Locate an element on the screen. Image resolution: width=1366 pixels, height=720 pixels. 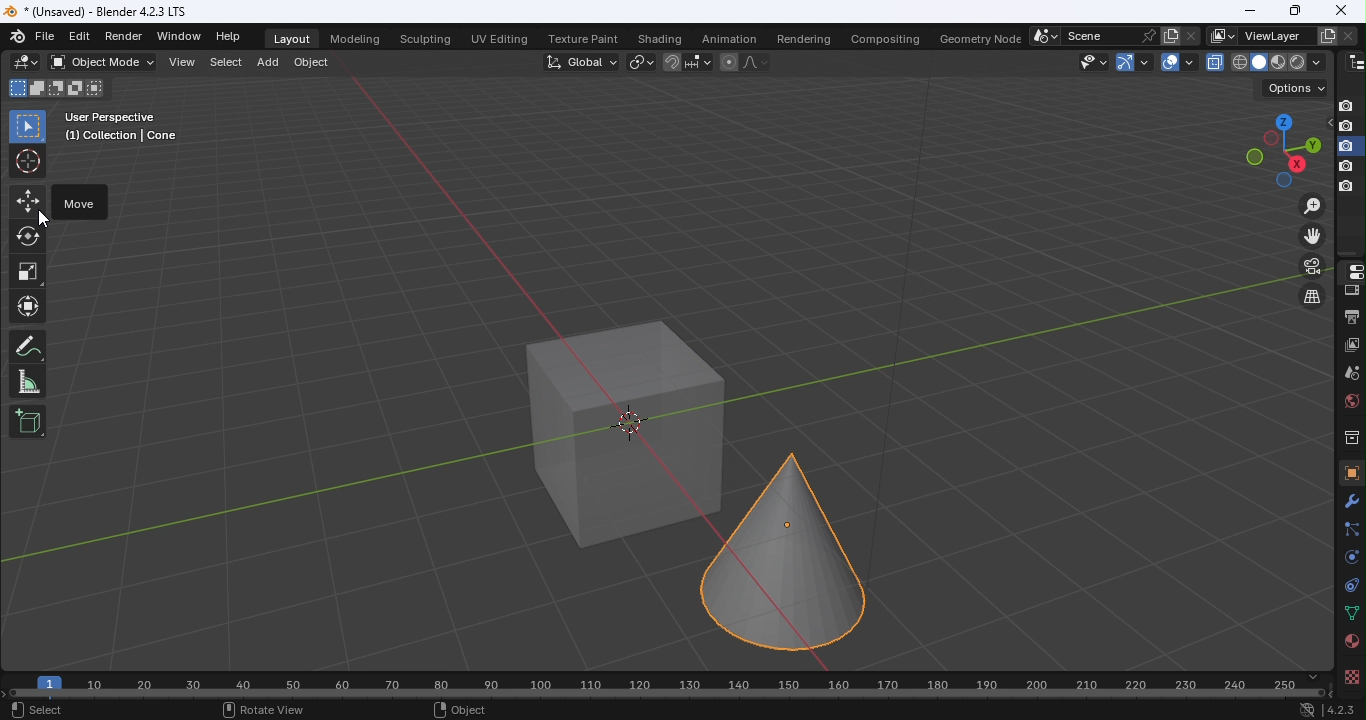
Delete scene is located at coordinates (1190, 35).